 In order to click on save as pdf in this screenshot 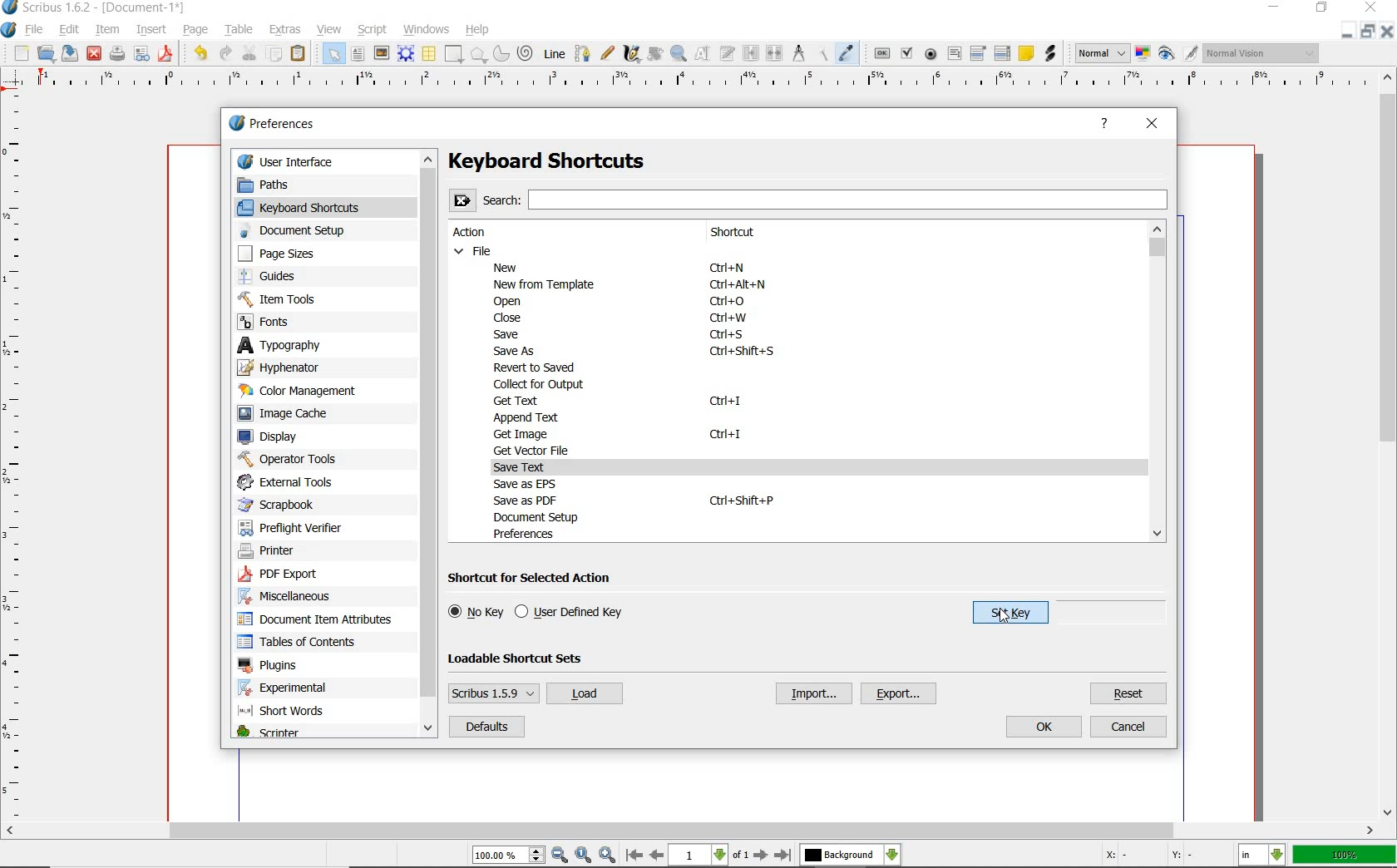, I will do `click(530, 501)`.